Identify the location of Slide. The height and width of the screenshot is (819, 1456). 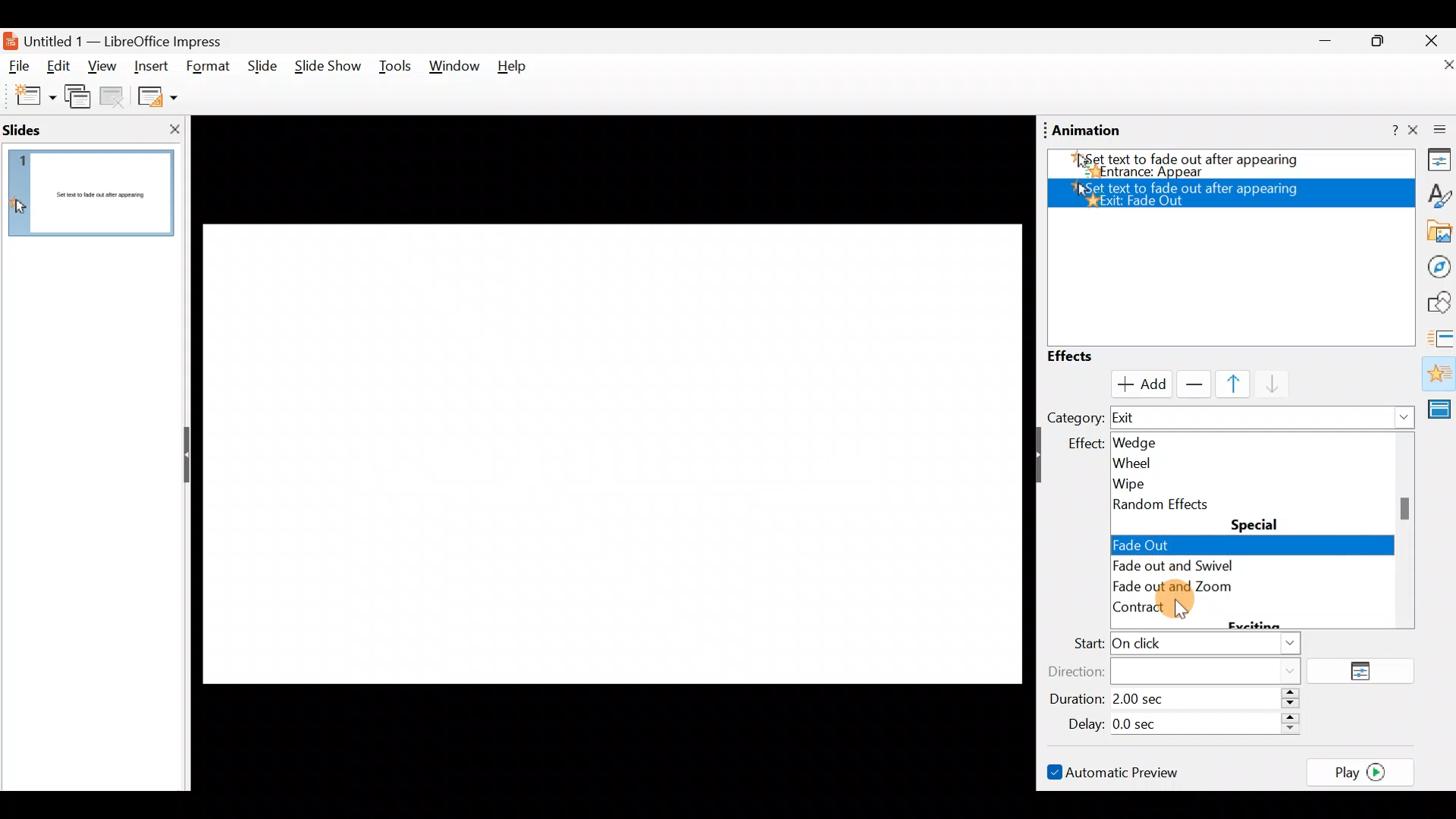
(259, 67).